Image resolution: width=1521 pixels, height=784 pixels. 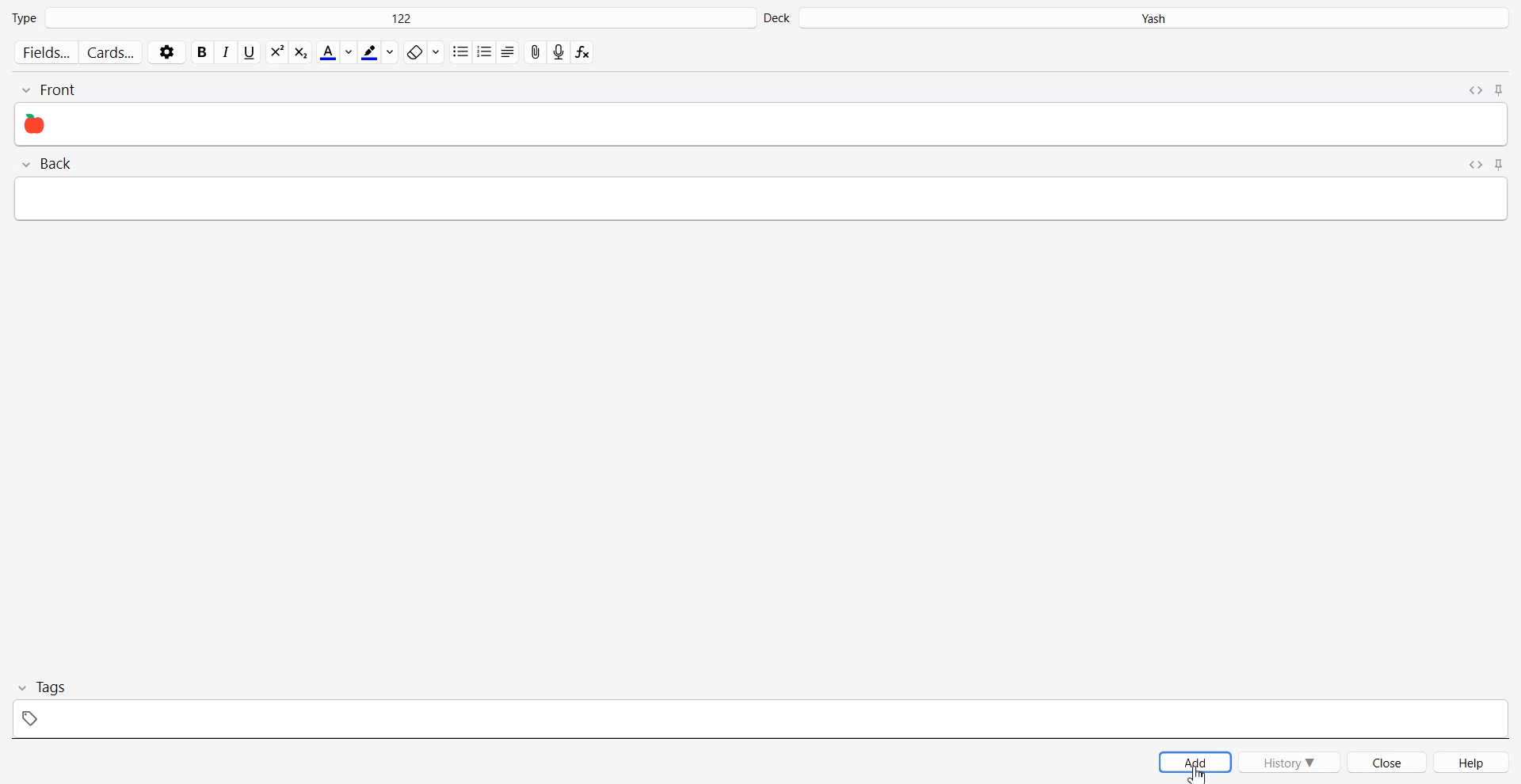 I want to click on Emoji, so click(x=1199, y=774).